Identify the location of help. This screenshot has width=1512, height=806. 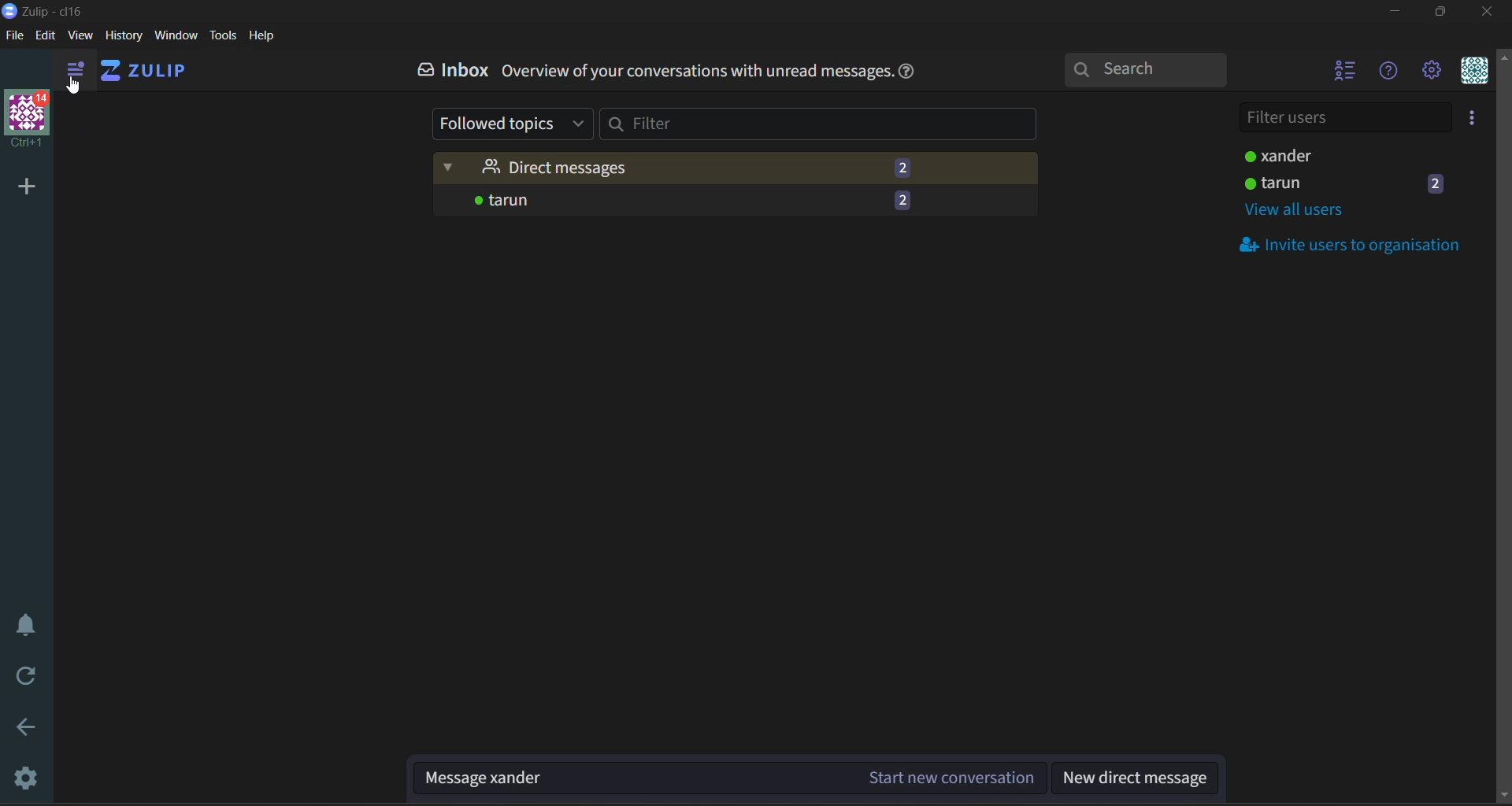
(911, 76).